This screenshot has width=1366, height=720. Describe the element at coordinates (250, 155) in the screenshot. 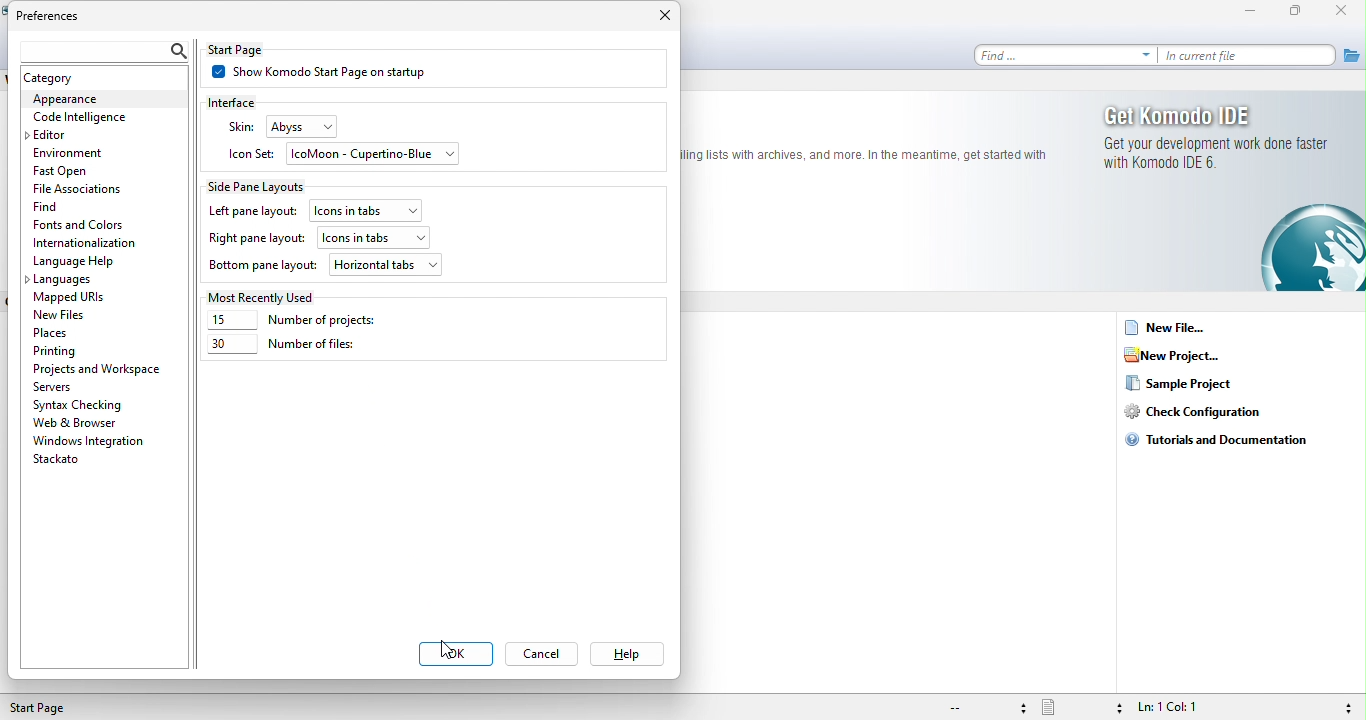

I see `icon set` at that location.